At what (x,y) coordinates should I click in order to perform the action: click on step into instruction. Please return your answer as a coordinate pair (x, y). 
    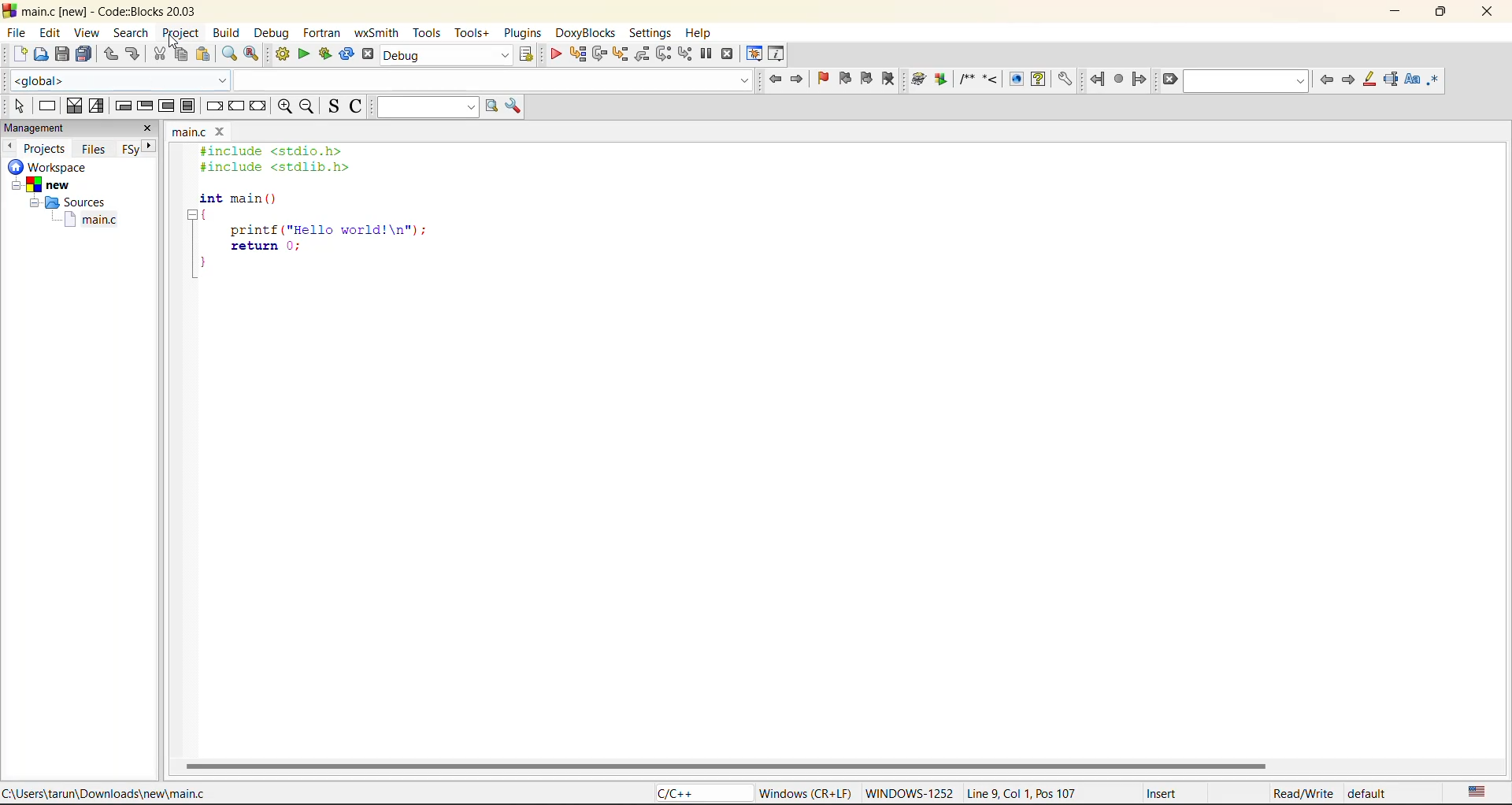
    Looking at the image, I should click on (686, 54).